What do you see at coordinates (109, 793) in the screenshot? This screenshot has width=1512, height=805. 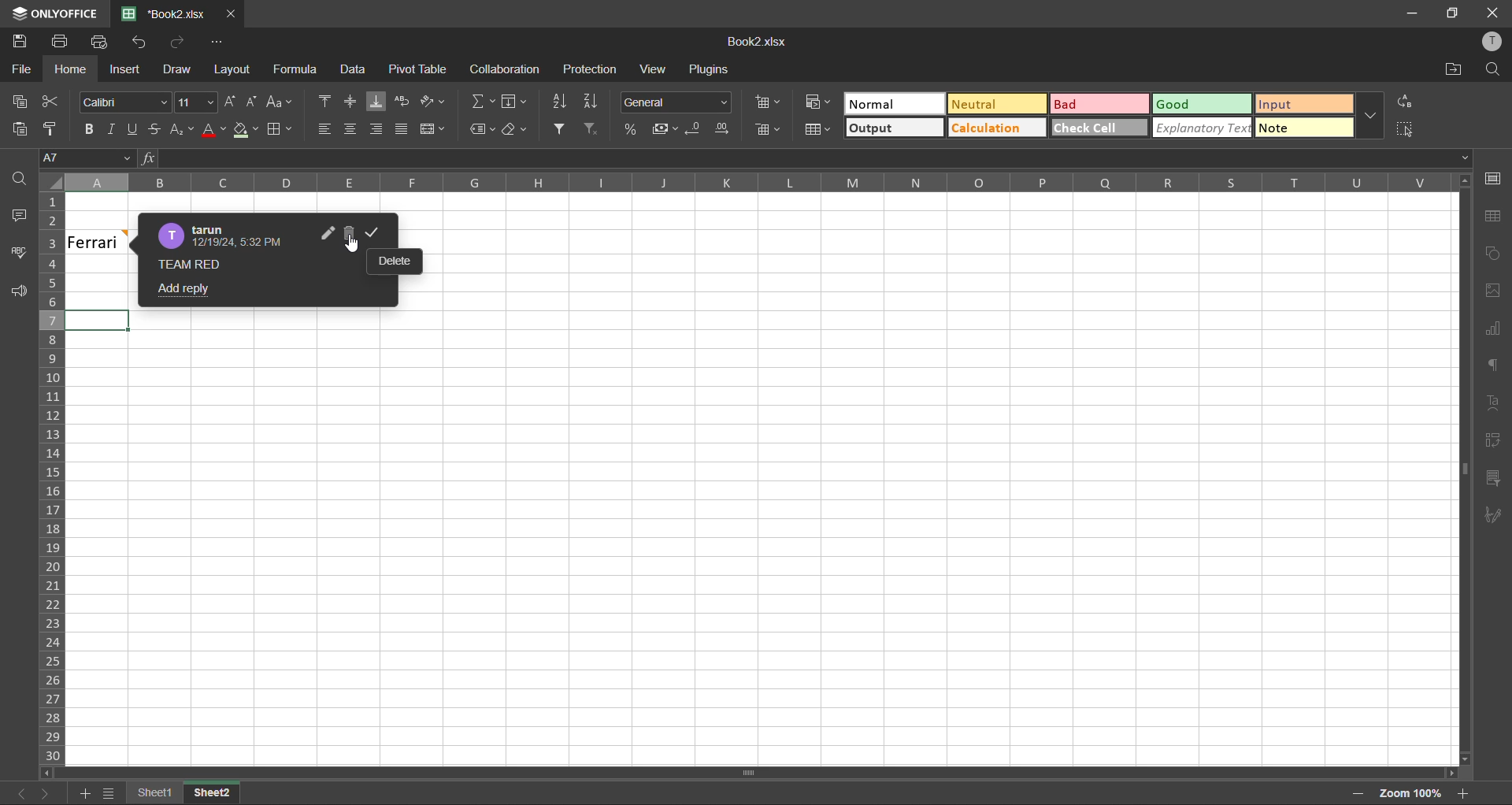 I see `sheetlist` at bounding box center [109, 793].